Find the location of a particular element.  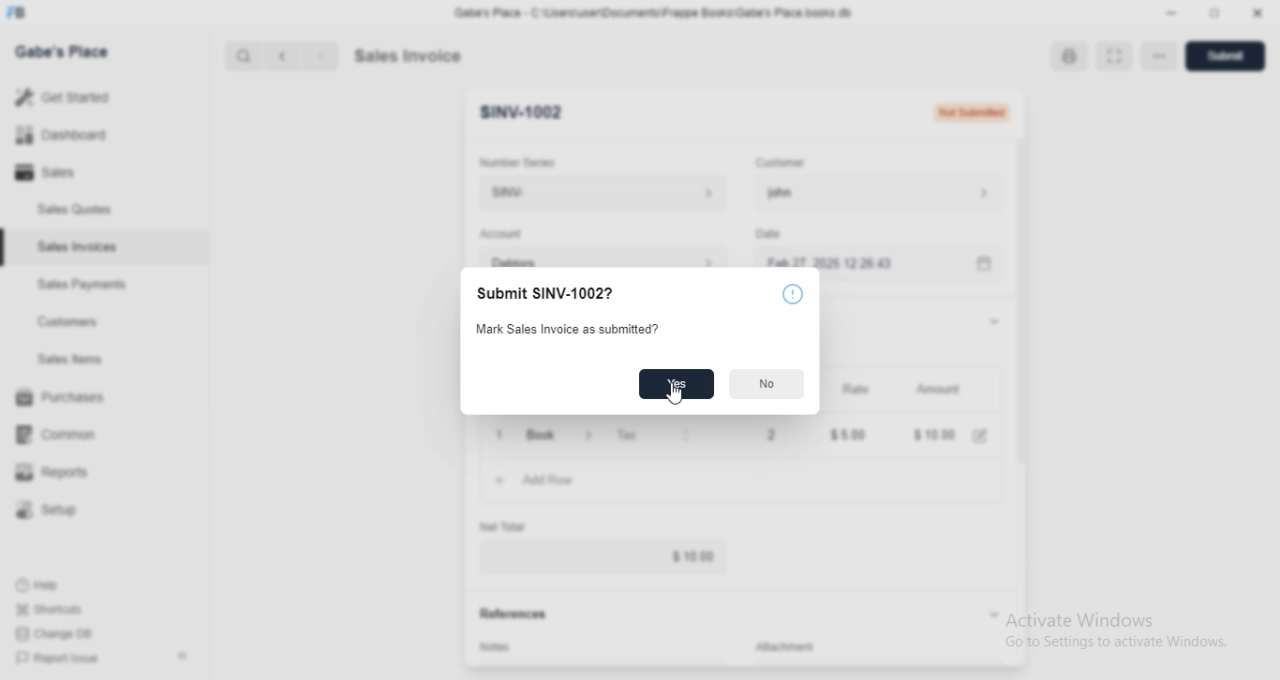

help icon is located at coordinates (792, 294).